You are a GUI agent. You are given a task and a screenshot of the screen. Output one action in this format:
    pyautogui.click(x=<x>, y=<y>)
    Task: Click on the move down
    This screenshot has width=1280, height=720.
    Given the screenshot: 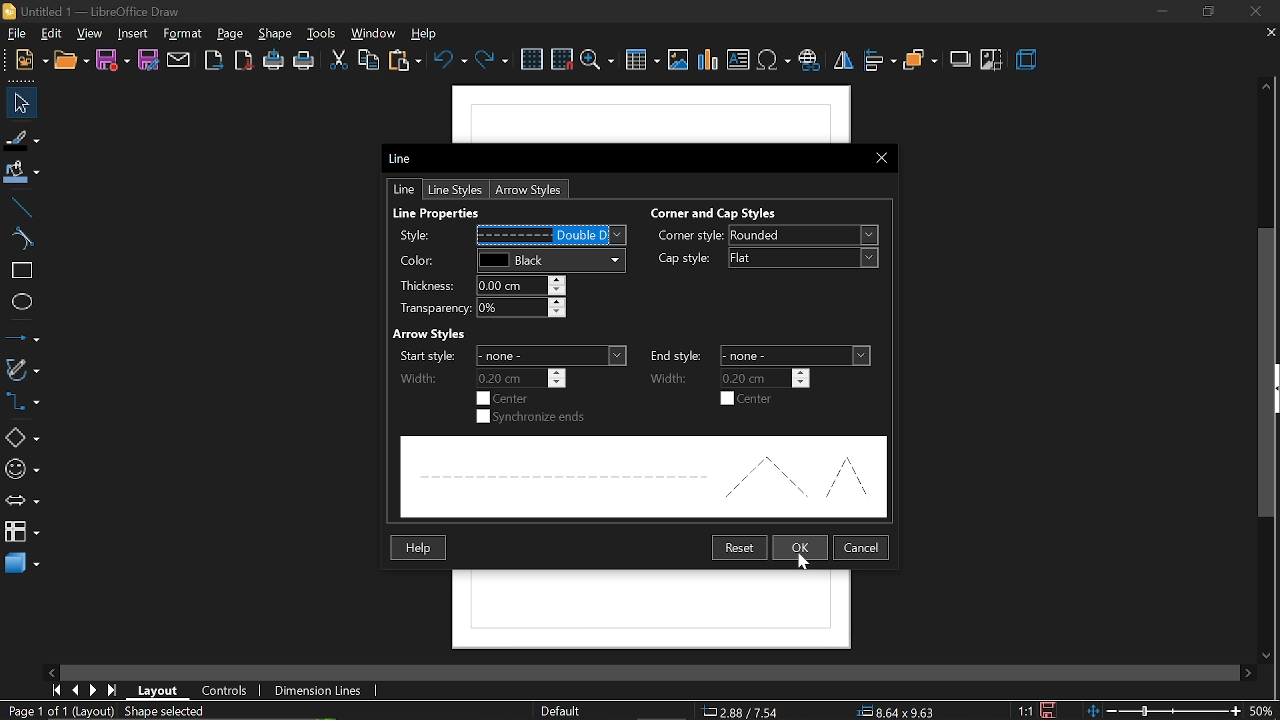 What is the action you would take?
    pyautogui.click(x=1270, y=656)
    